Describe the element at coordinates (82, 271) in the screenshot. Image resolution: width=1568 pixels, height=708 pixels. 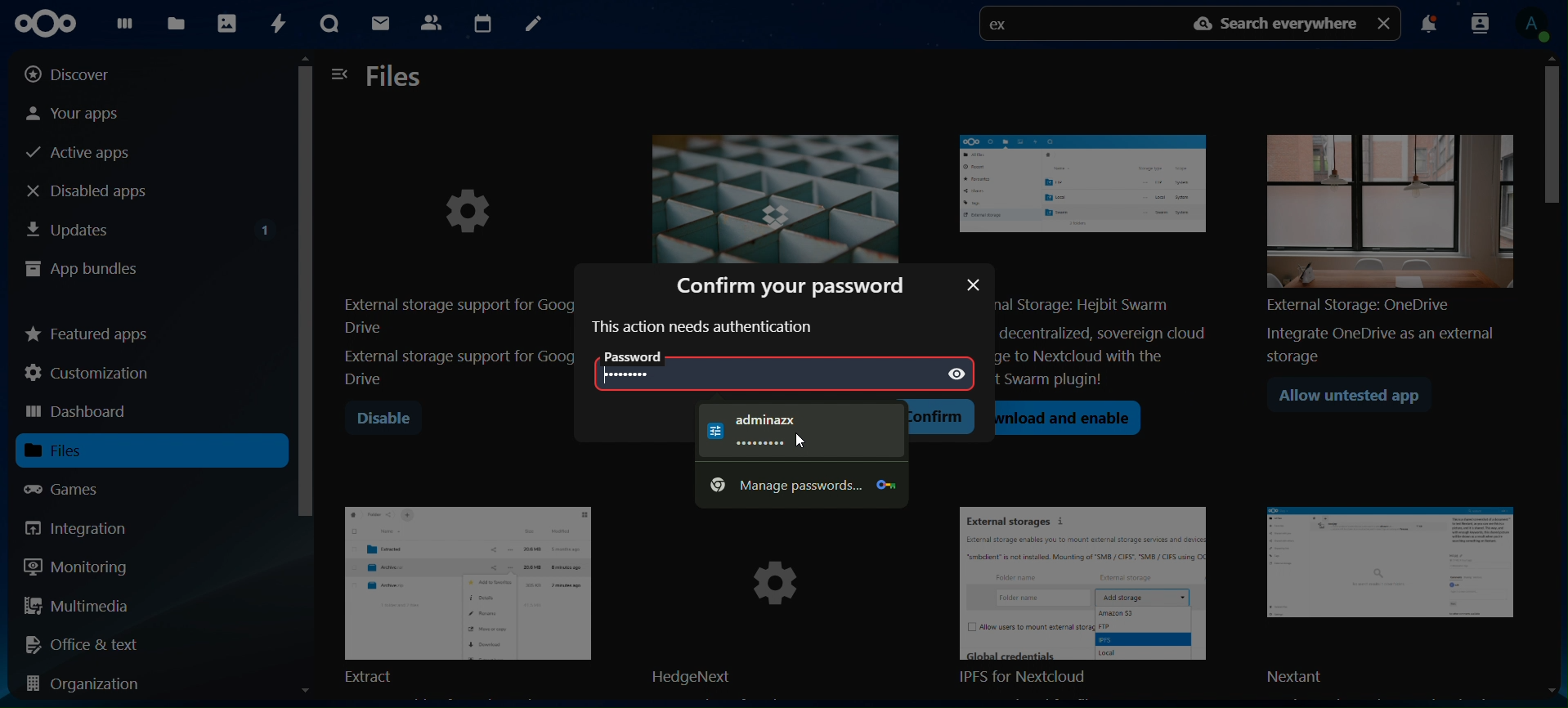
I see `app bundles` at that location.